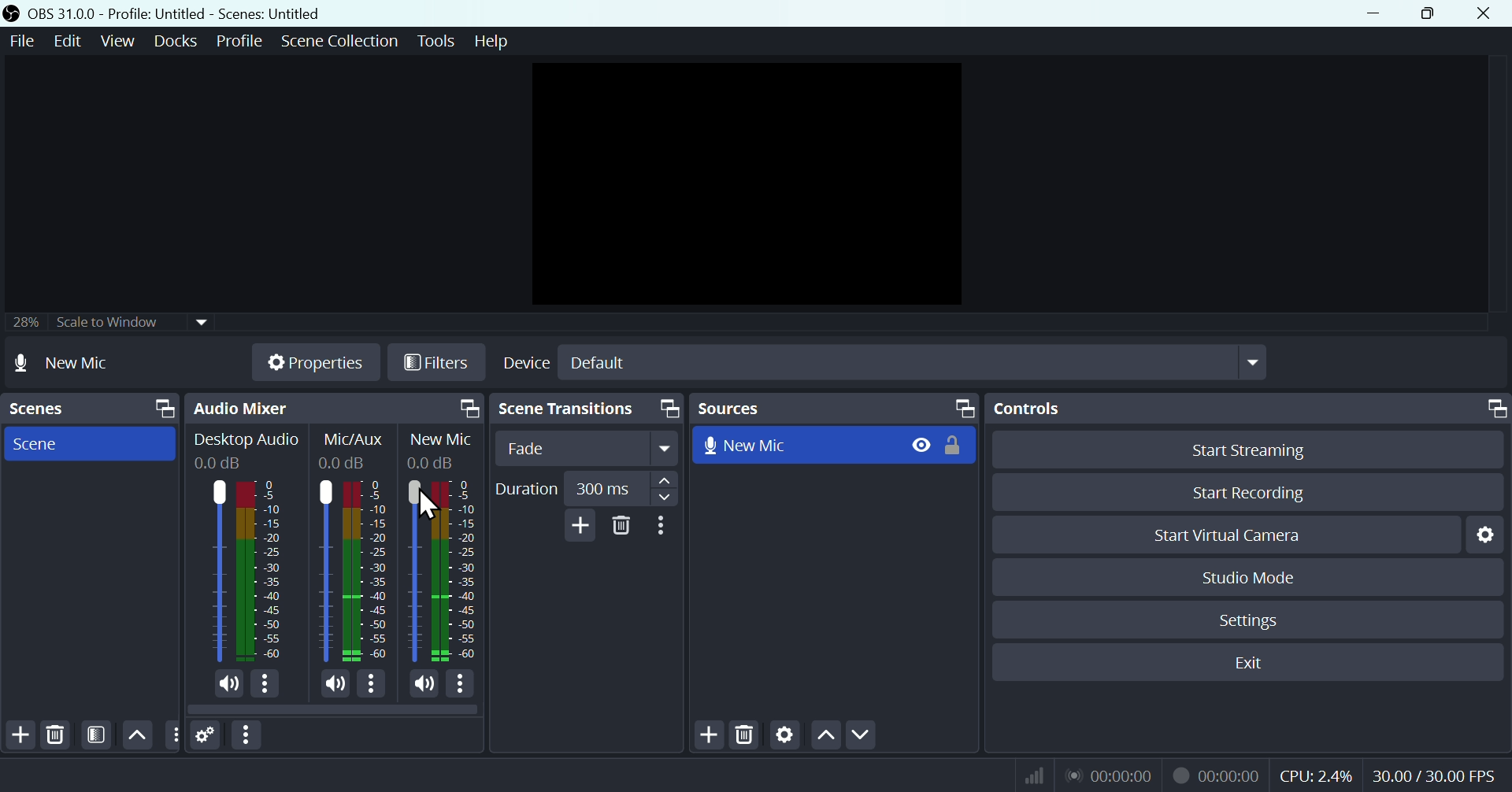  I want to click on Scene collection, so click(343, 43).